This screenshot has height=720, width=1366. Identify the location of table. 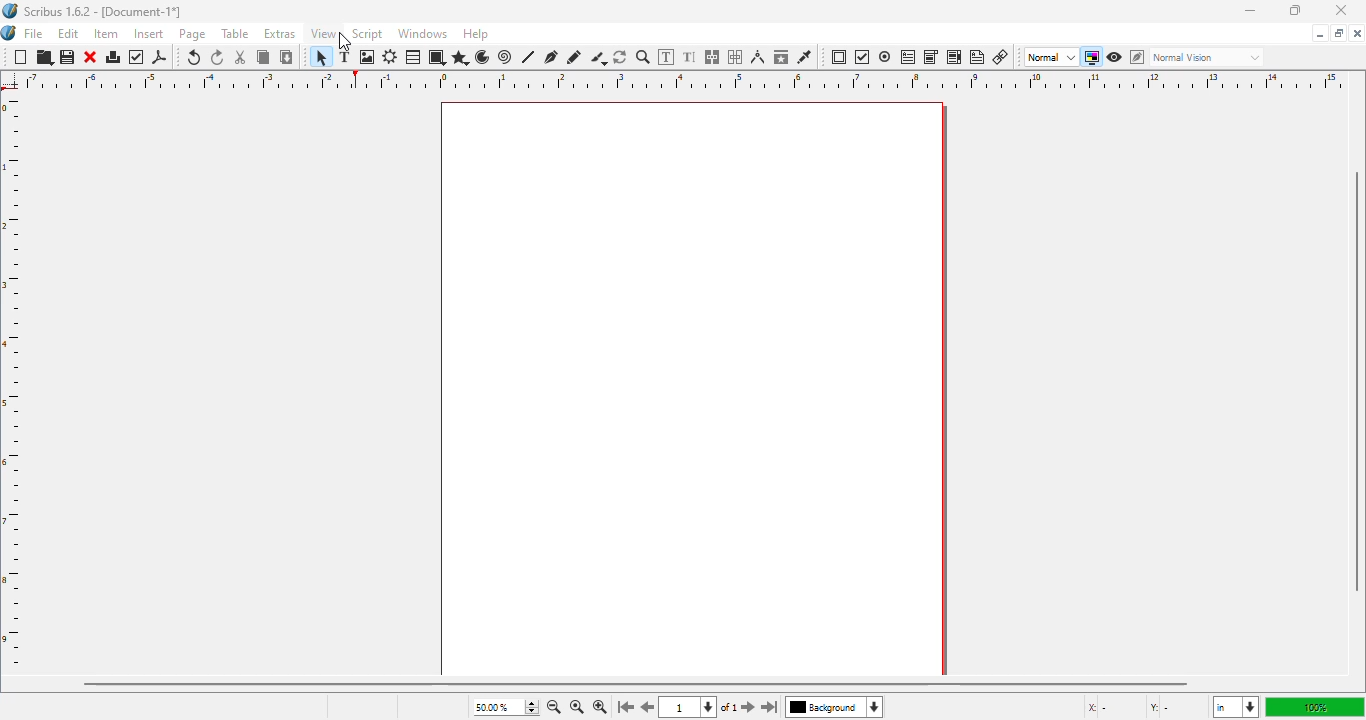
(414, 57).